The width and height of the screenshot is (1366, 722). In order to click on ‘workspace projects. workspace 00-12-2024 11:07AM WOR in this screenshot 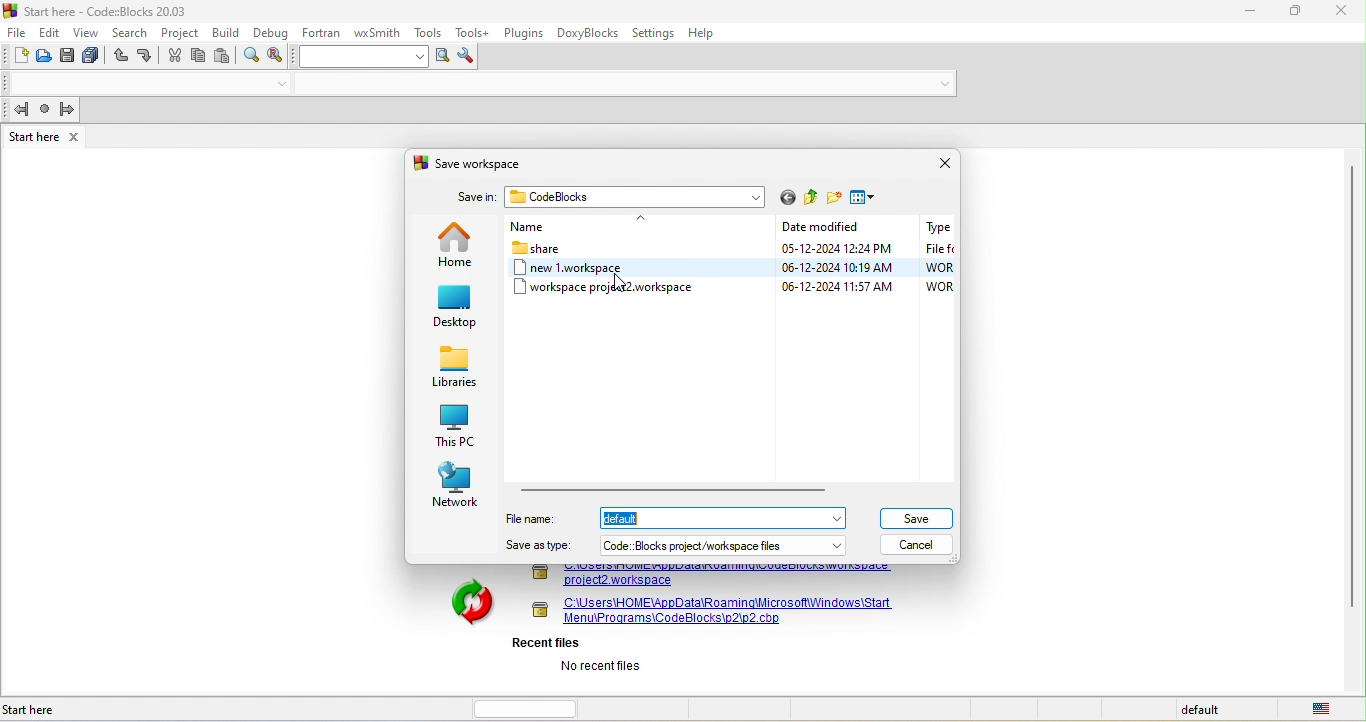, I will do `click(733, 288)`.